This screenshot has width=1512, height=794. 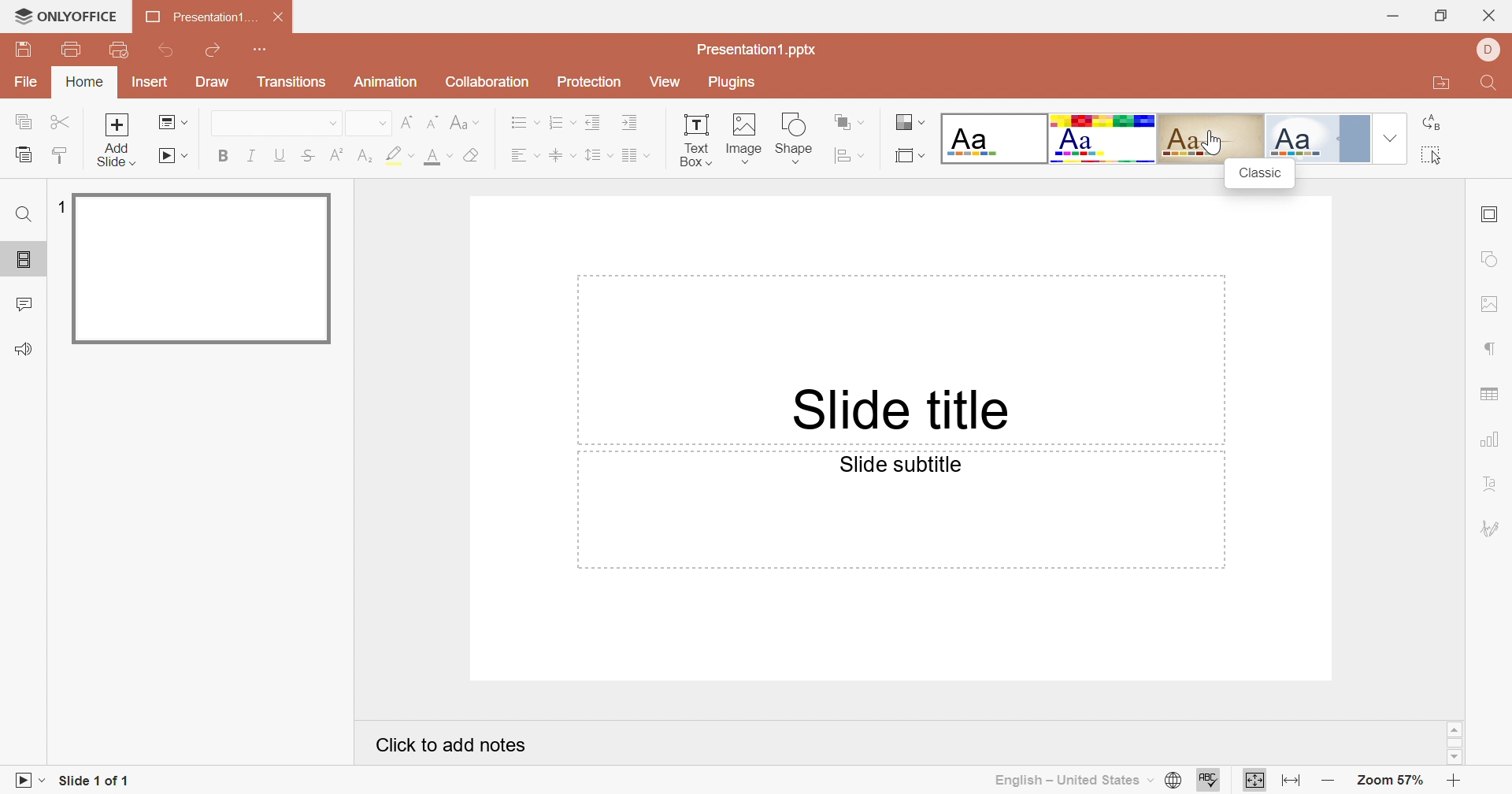 What do you see at coordinates (1492, 350) in the screenshot?
I see `Paragraph settings` at bounding box center [1492, 350].